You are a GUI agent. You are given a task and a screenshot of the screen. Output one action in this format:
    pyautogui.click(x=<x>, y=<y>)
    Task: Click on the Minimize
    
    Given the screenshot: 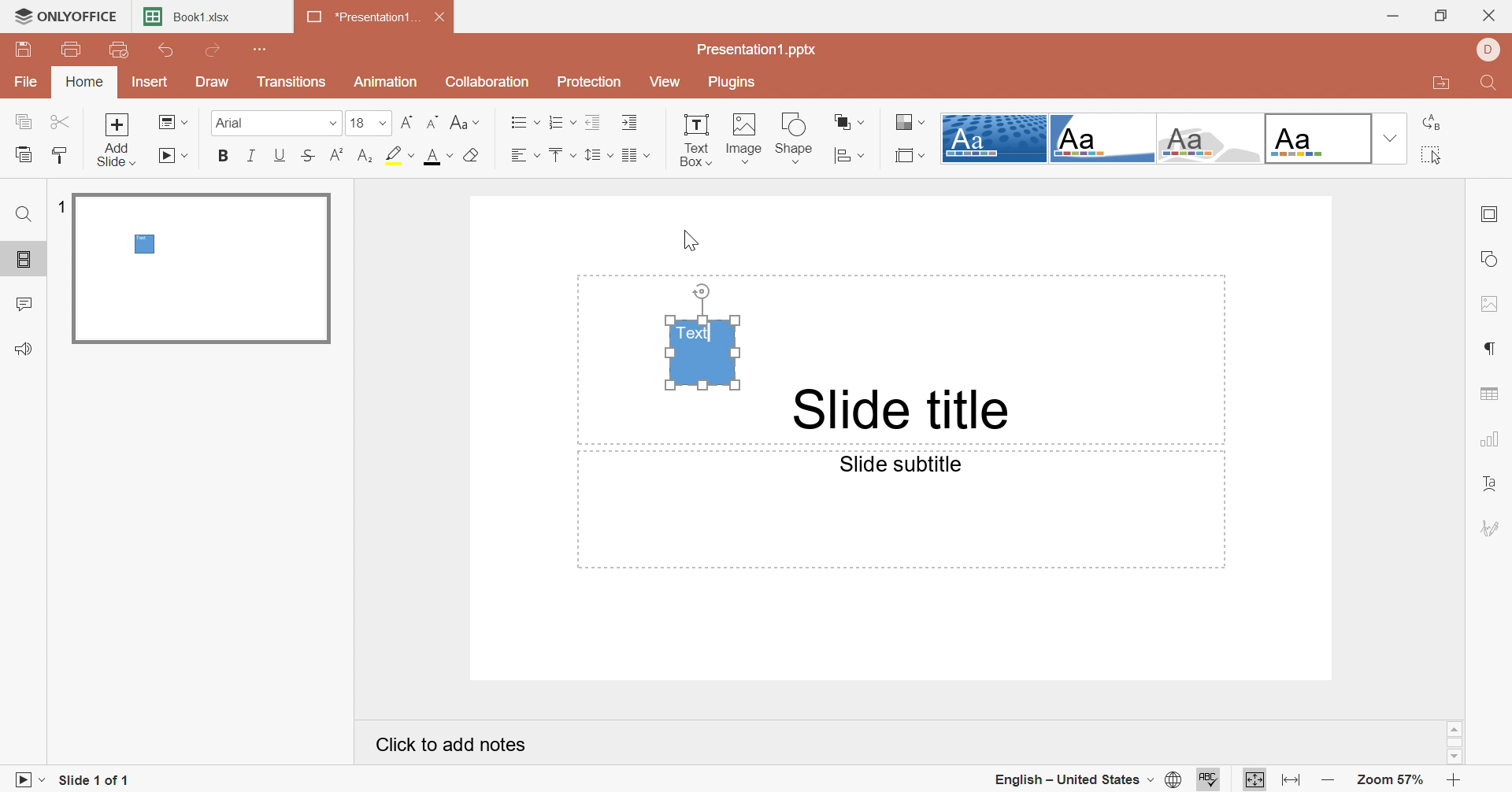 What is the action you would take?
    pyautogui.click(x=1388, y=18)
    